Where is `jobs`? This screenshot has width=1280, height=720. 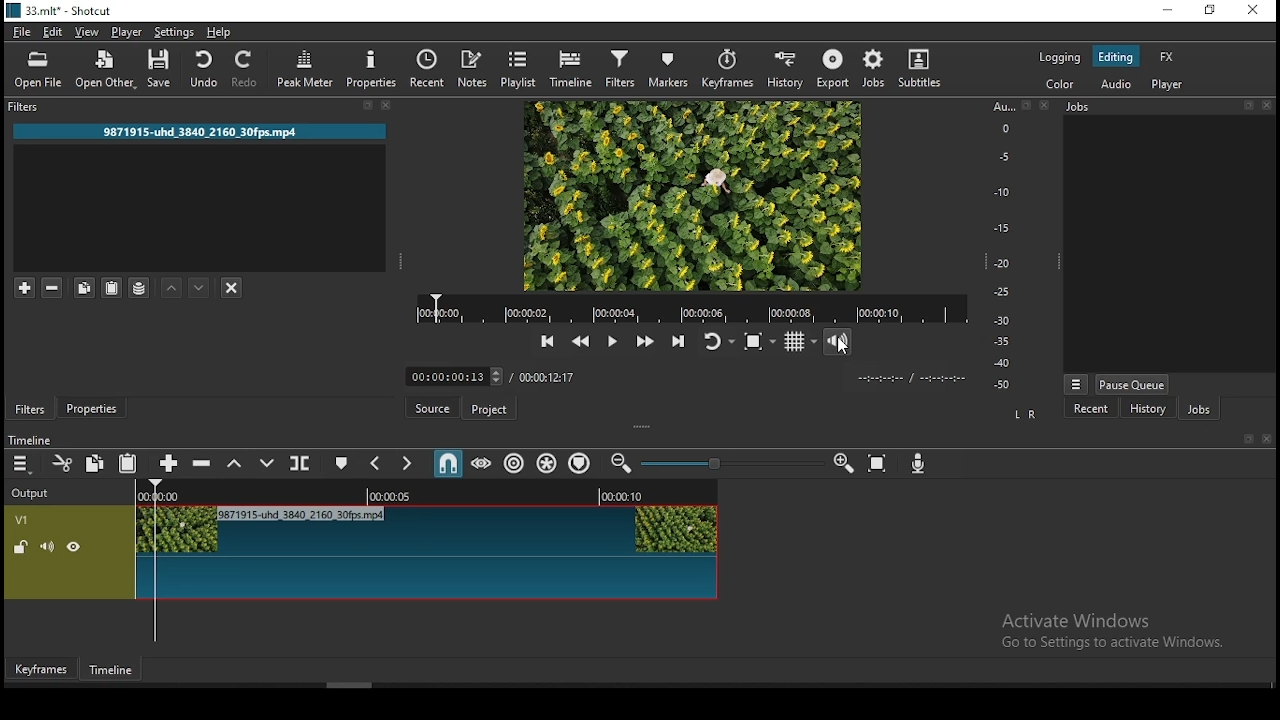 jobs is located at coordinates (1203, 409).